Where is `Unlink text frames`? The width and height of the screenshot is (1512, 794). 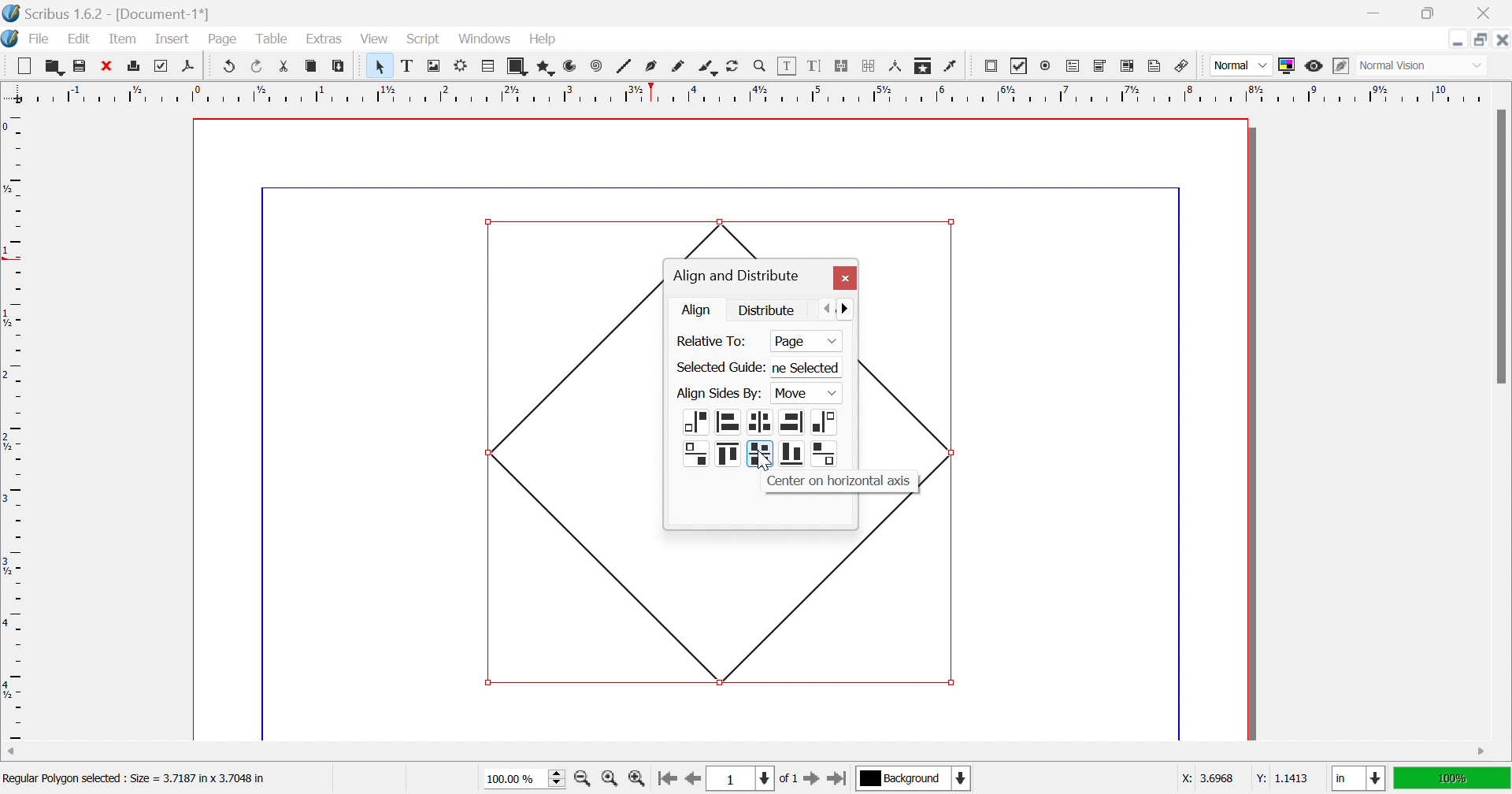
Unlink text frames is located at coordinates (869, 66).